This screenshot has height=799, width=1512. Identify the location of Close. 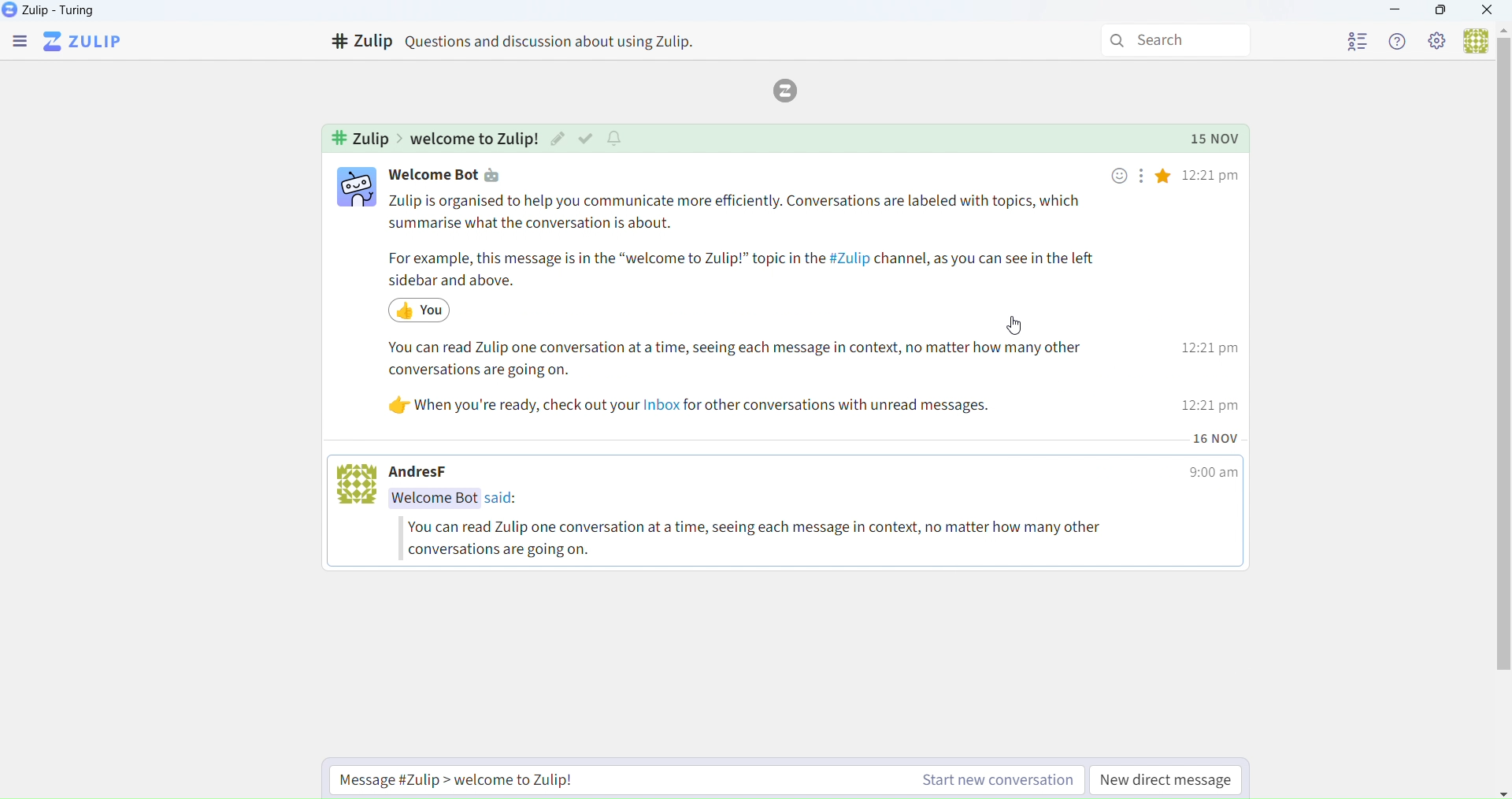
(1488, 11).